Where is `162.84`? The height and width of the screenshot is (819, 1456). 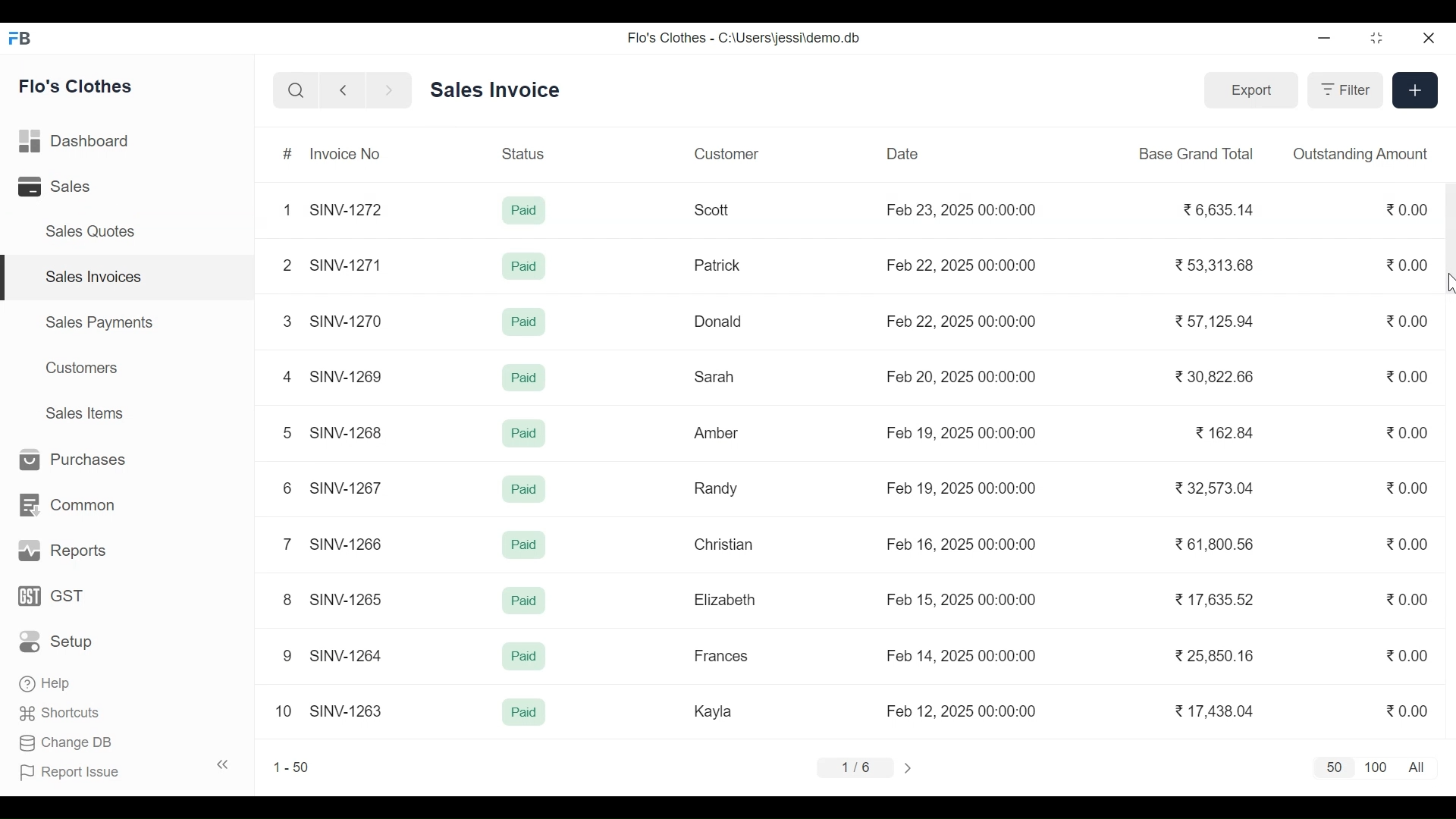
162.84 is located at coordinates (1224, 432).